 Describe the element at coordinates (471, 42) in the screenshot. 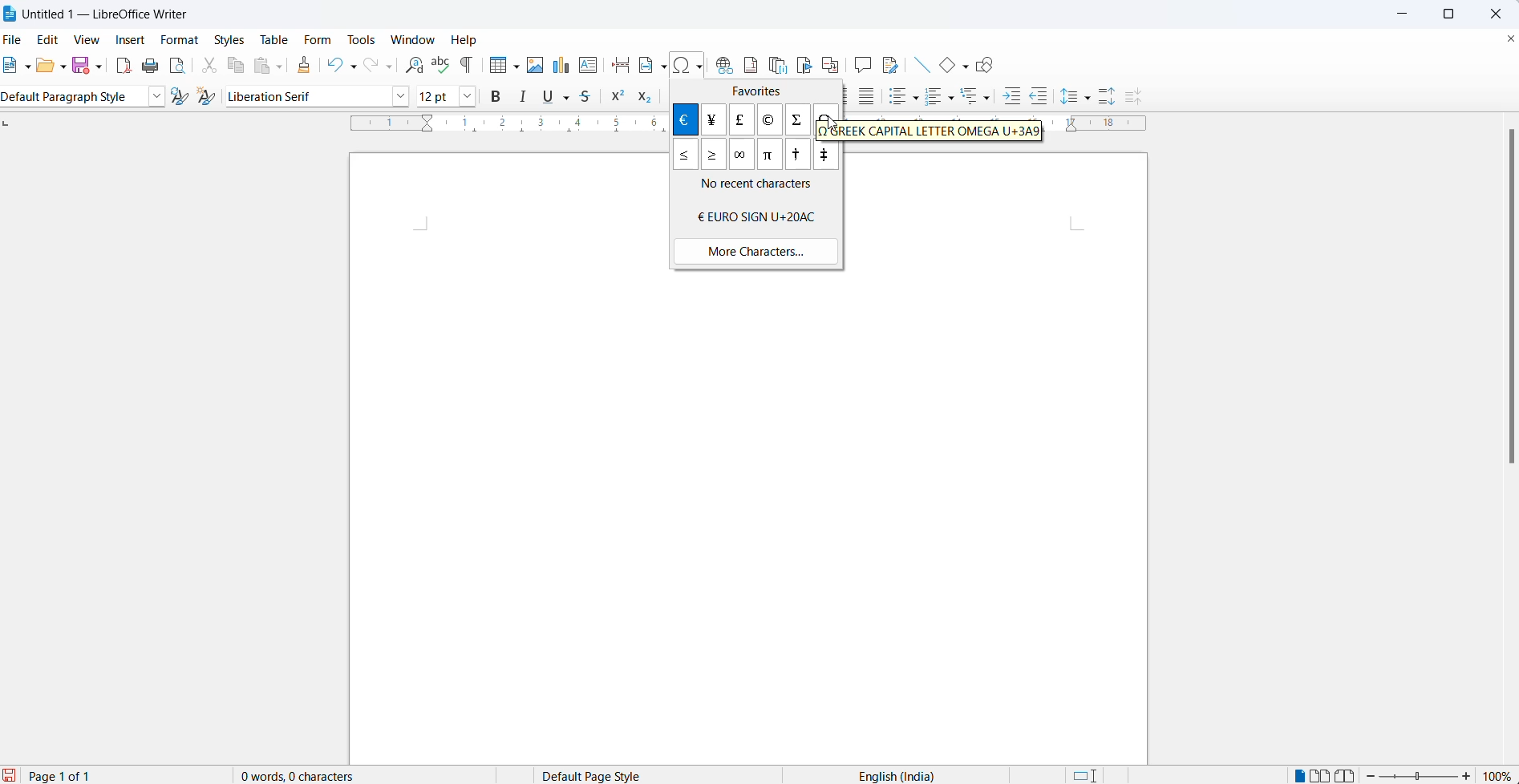

I see `help` at that location.